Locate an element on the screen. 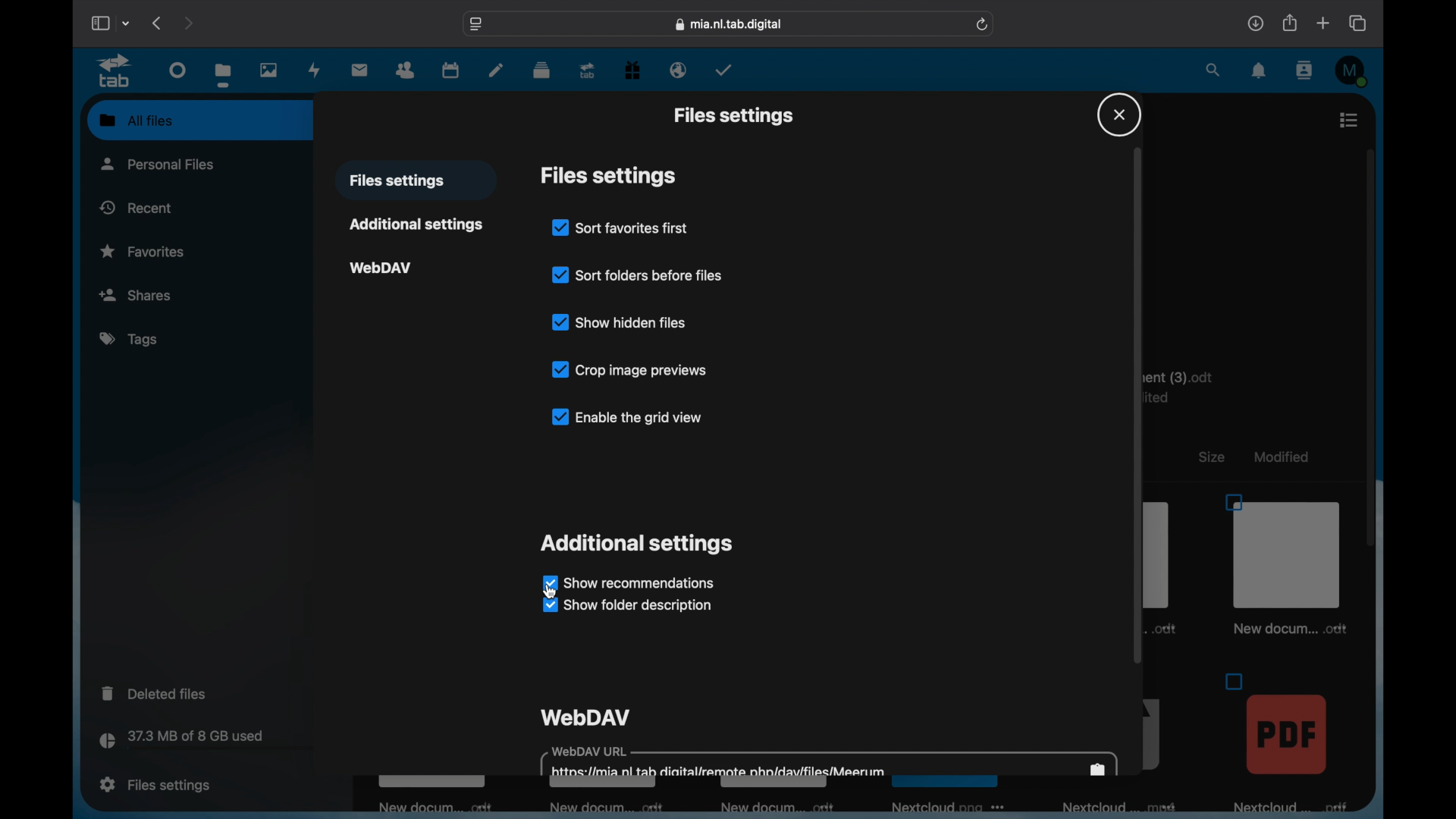  next is located at coordinates (190, 23).